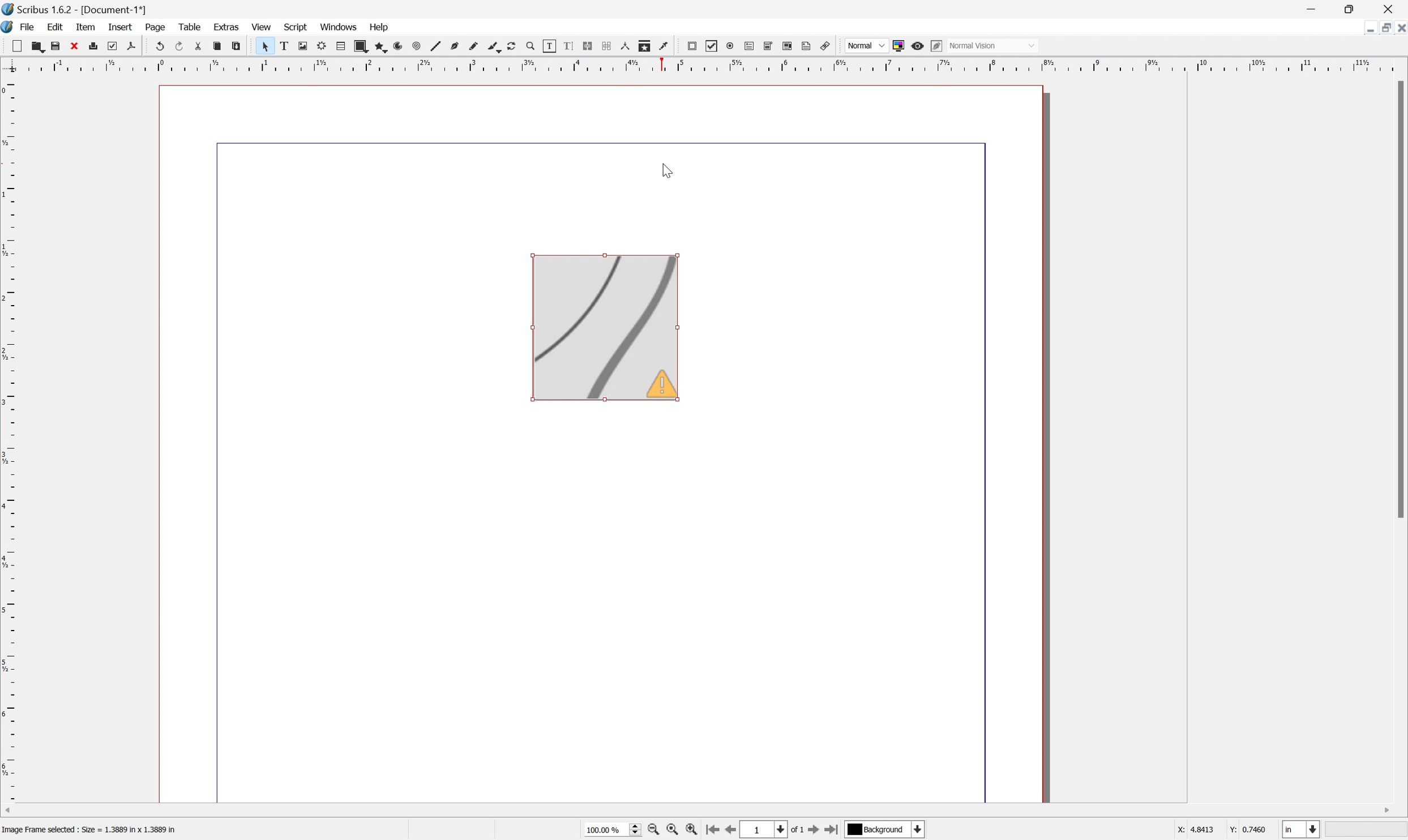 This screenshot has width=1408, height=840. Describe the element at coordinates (85, 28) in the screenshot. I see `Item` at that location.